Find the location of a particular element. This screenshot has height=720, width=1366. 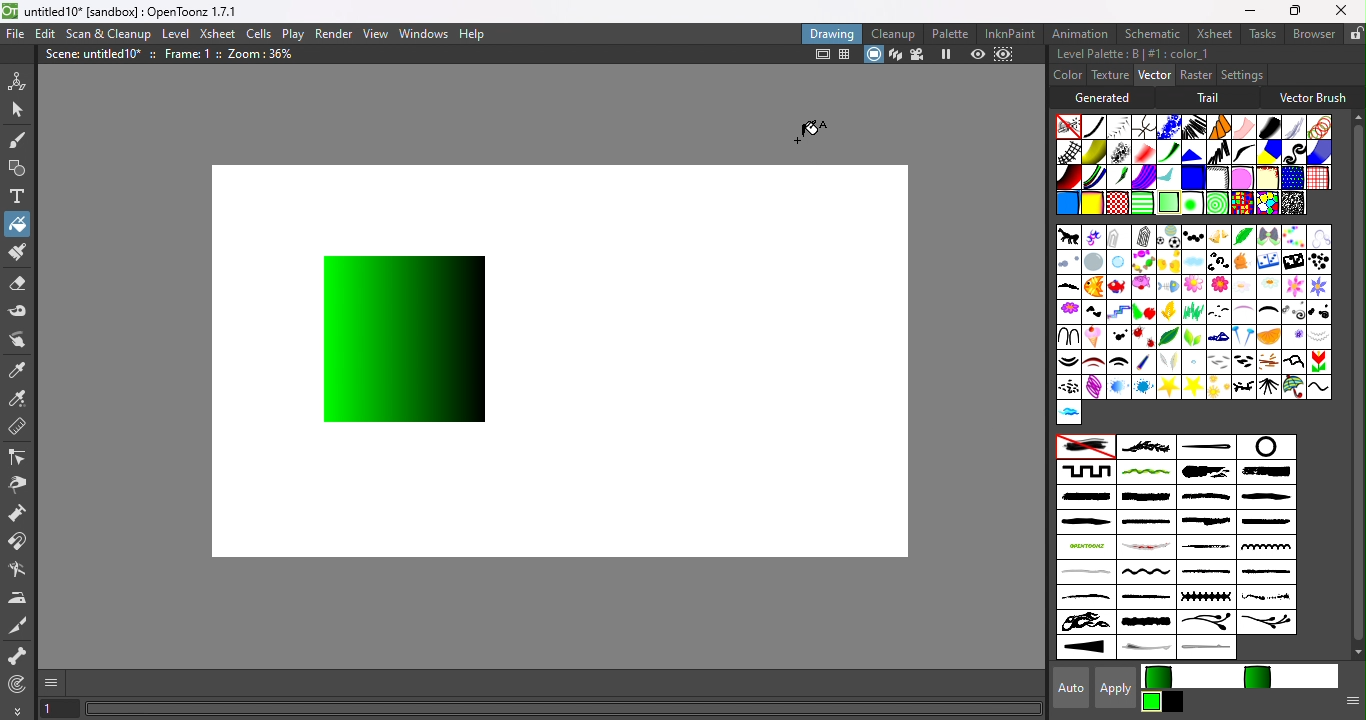

simple_wave is located at coordinates (1144, 574).